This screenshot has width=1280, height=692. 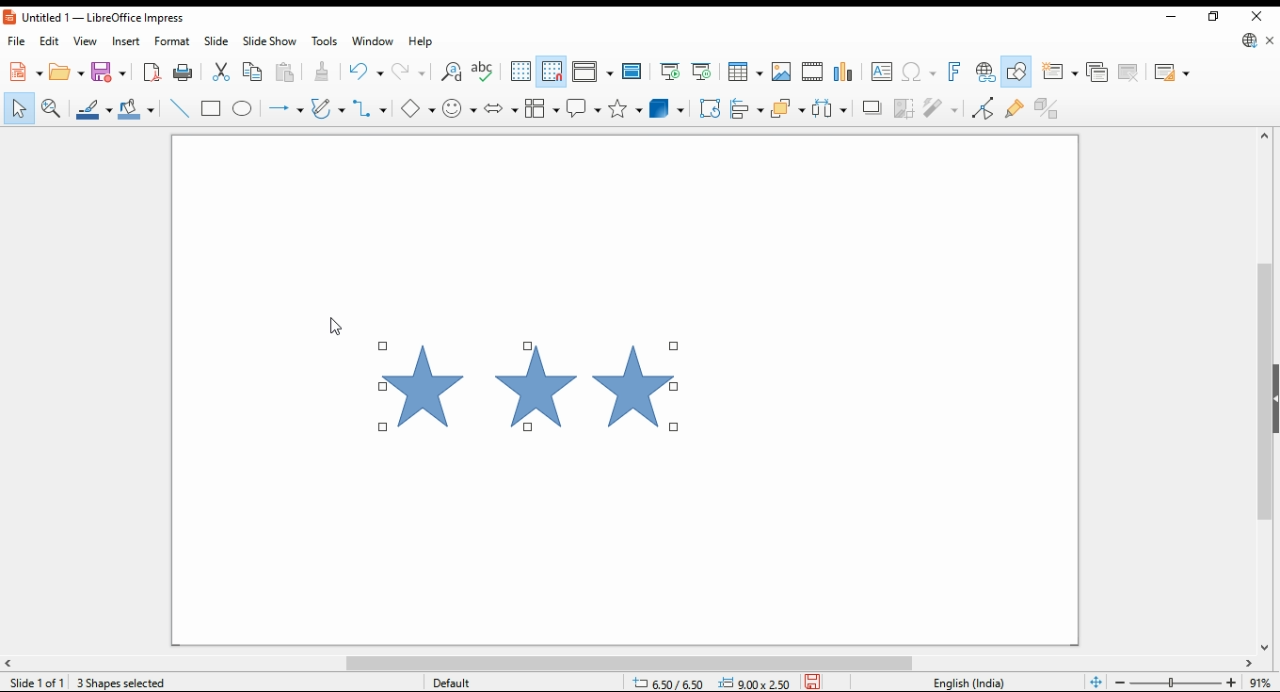 I want to click on simple shapes, so click(x=419, y=109).